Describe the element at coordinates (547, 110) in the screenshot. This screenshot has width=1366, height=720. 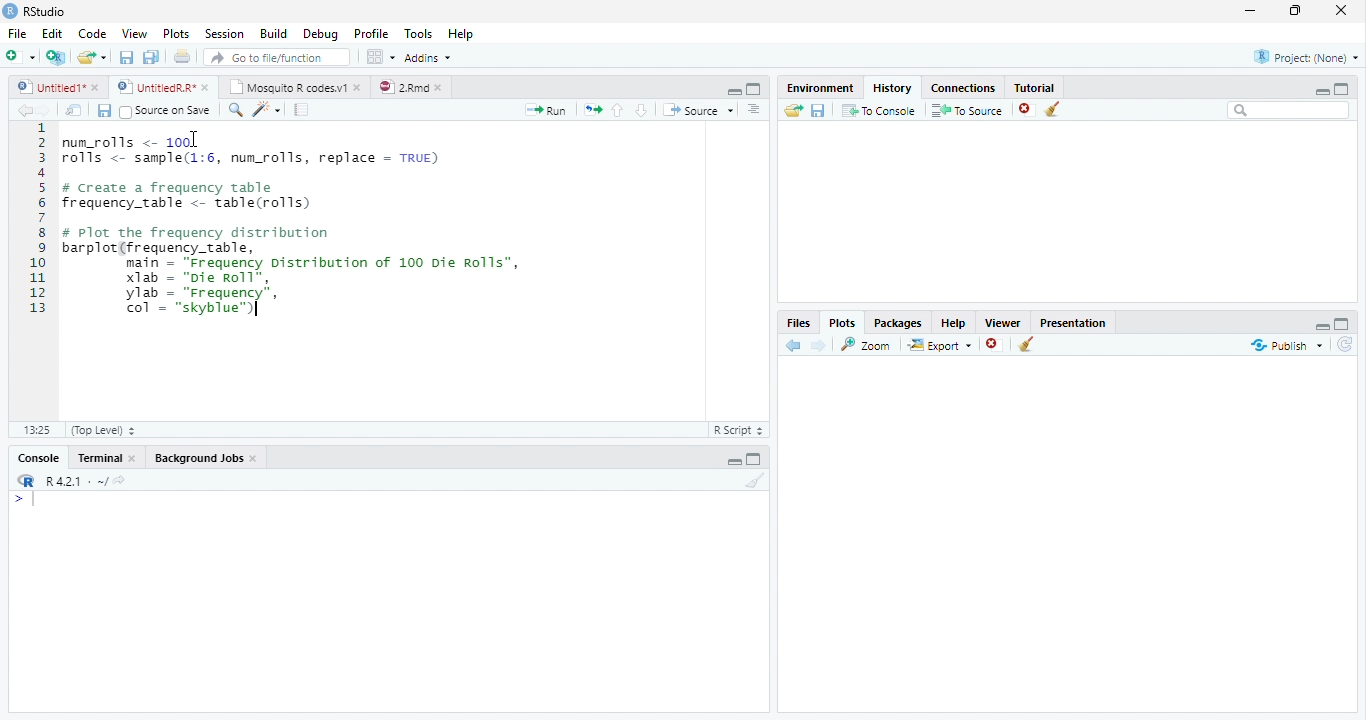
I see `Run` at that location.